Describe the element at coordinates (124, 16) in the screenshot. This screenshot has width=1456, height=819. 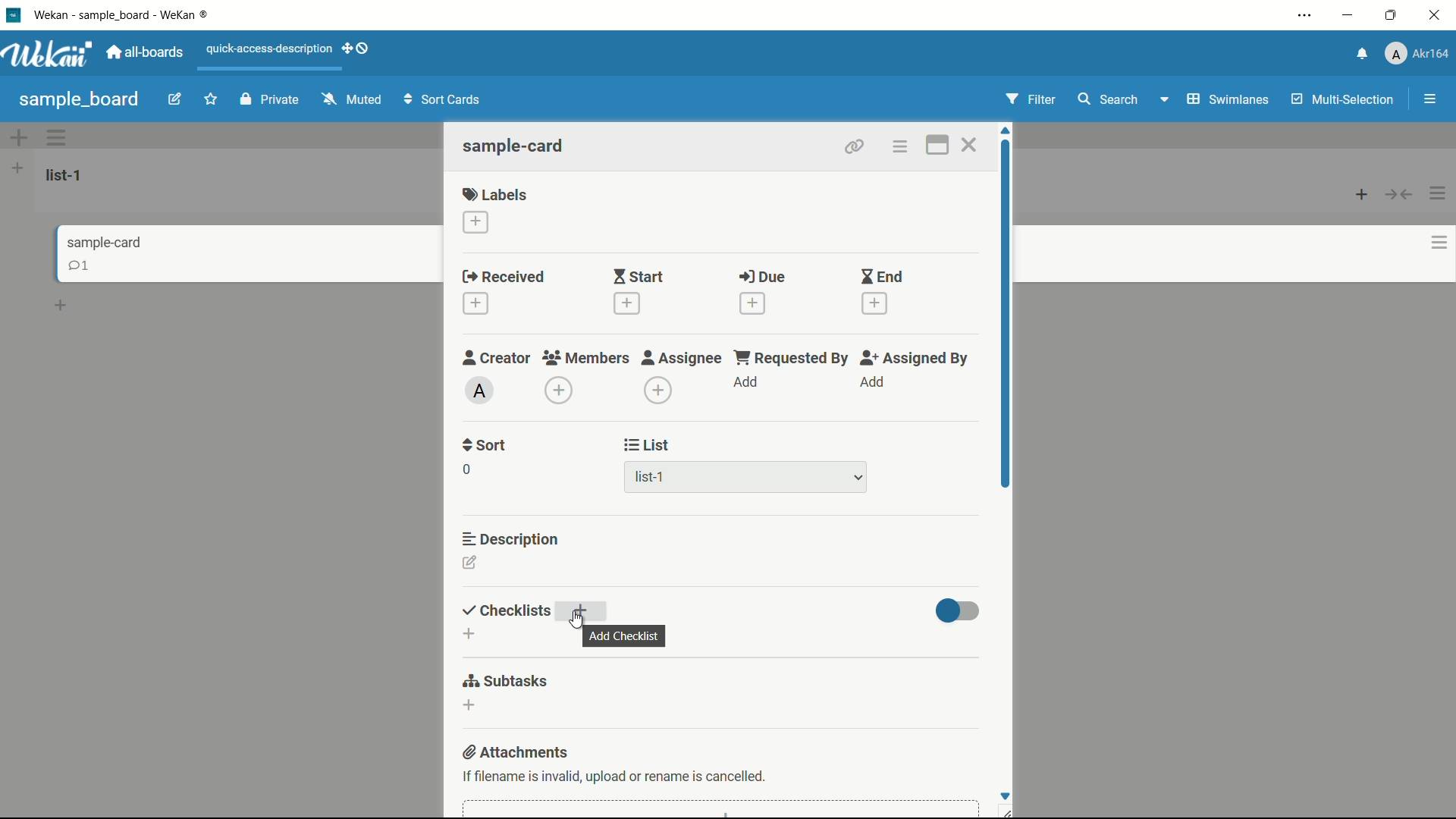
I see `app name` at that location.